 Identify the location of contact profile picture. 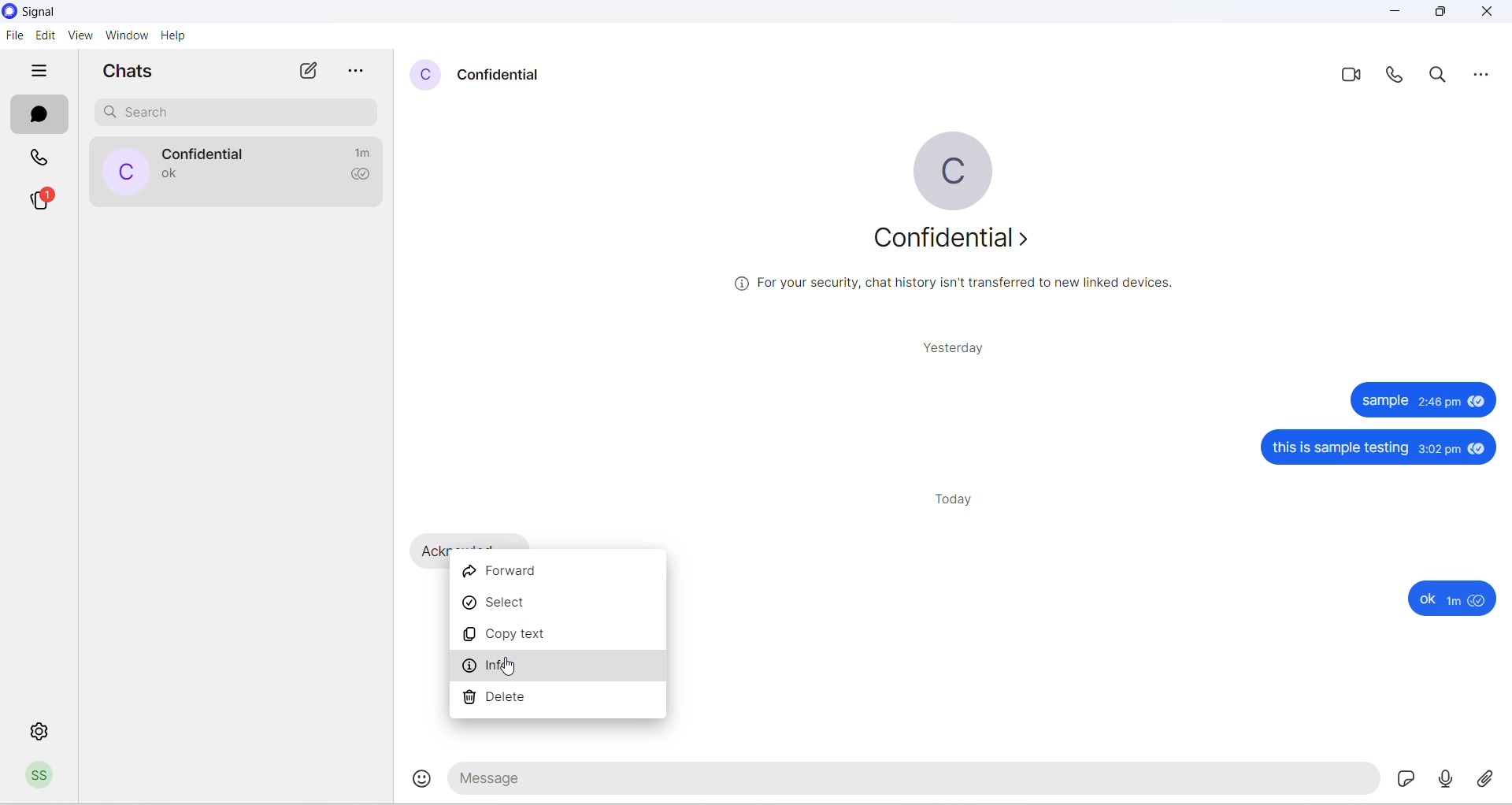
(424, 73).